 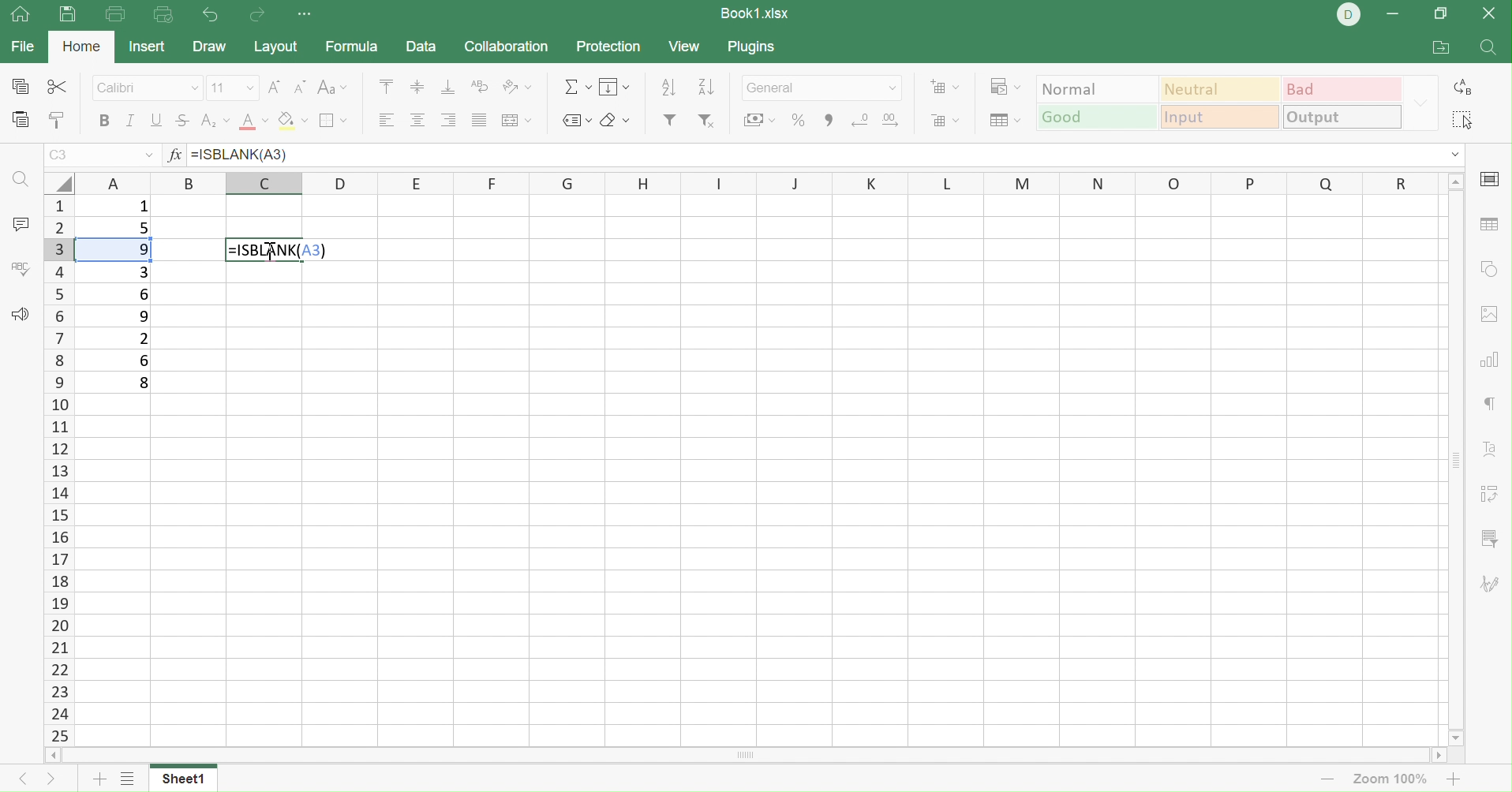 What do you see at coordinates (141, 229) in the screenshot?
I see `5` at bounding box center [141, 229].